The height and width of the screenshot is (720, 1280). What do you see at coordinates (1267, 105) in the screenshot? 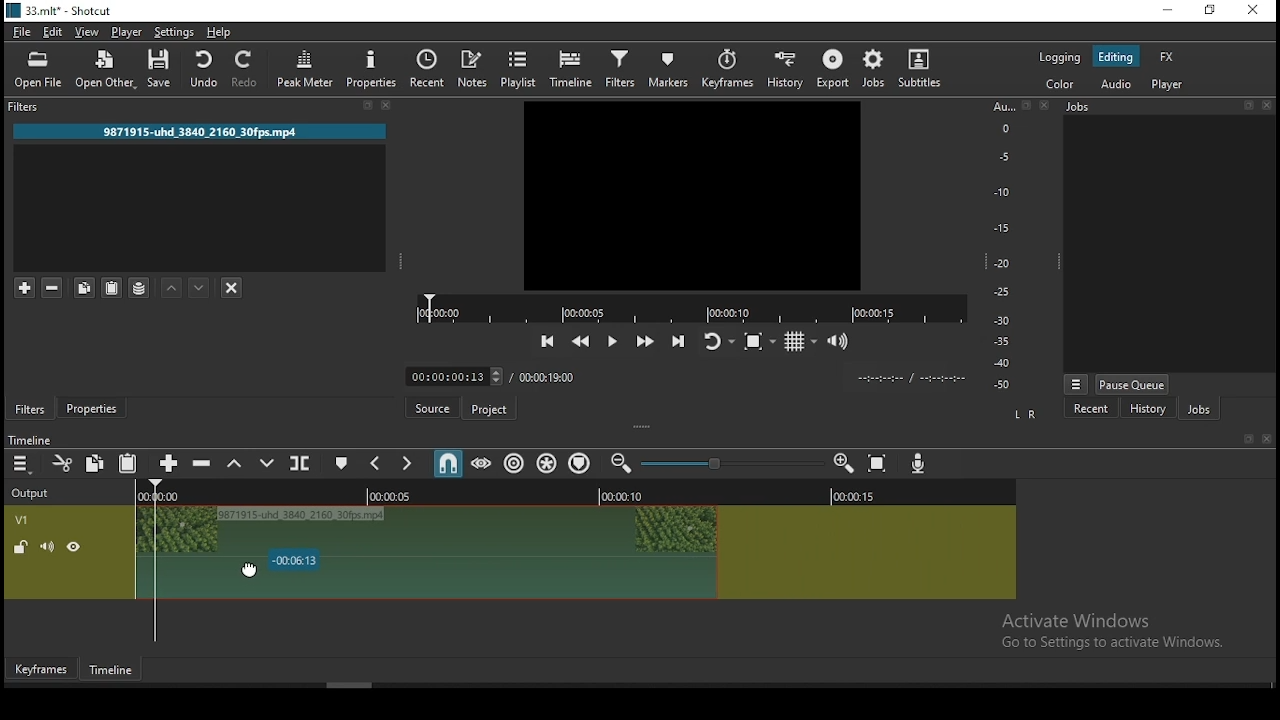
I see `close` at bounding box center [1267, 105].